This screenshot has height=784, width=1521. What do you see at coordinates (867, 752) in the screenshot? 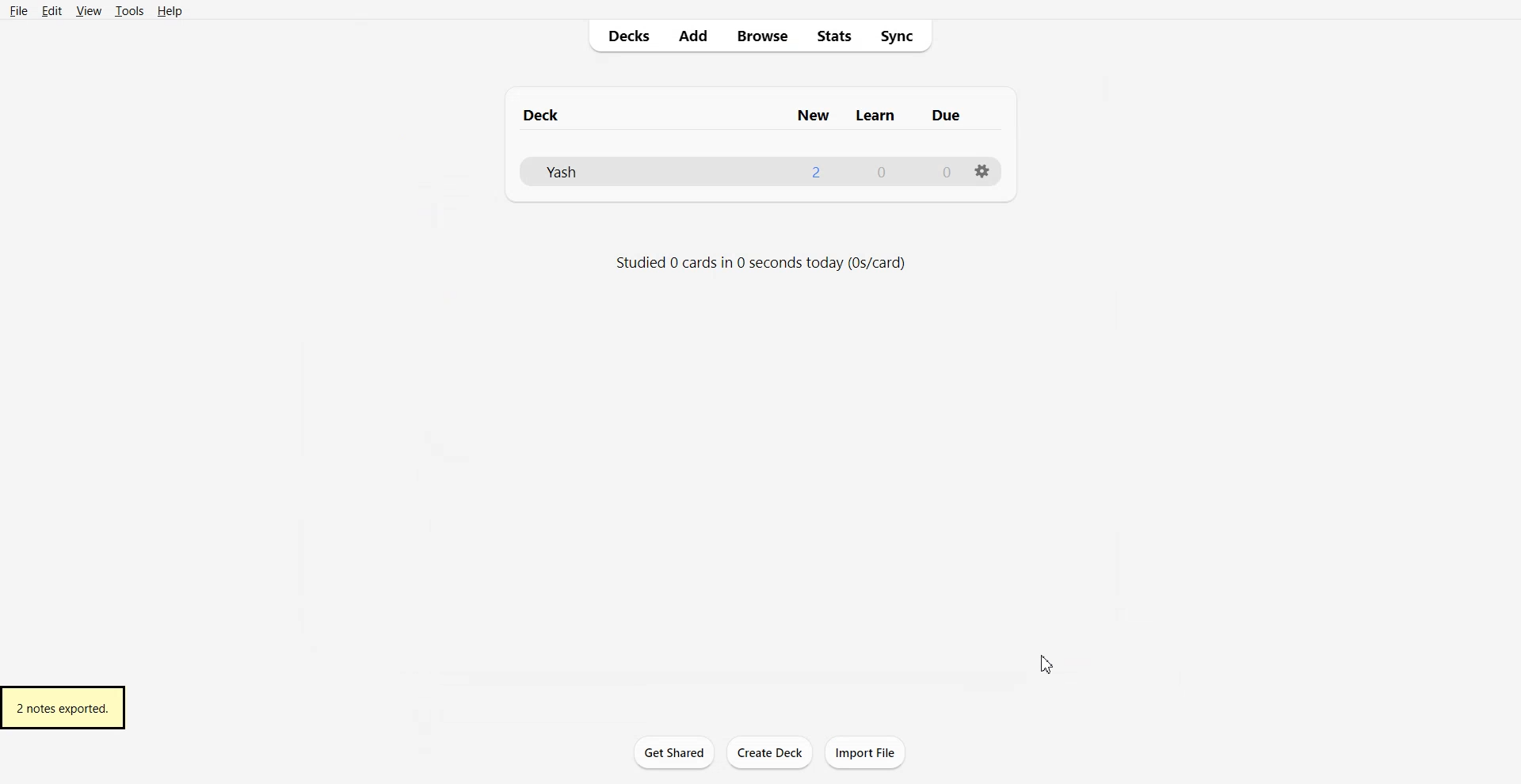
I see `Import File` at bounding box center [867, 752].